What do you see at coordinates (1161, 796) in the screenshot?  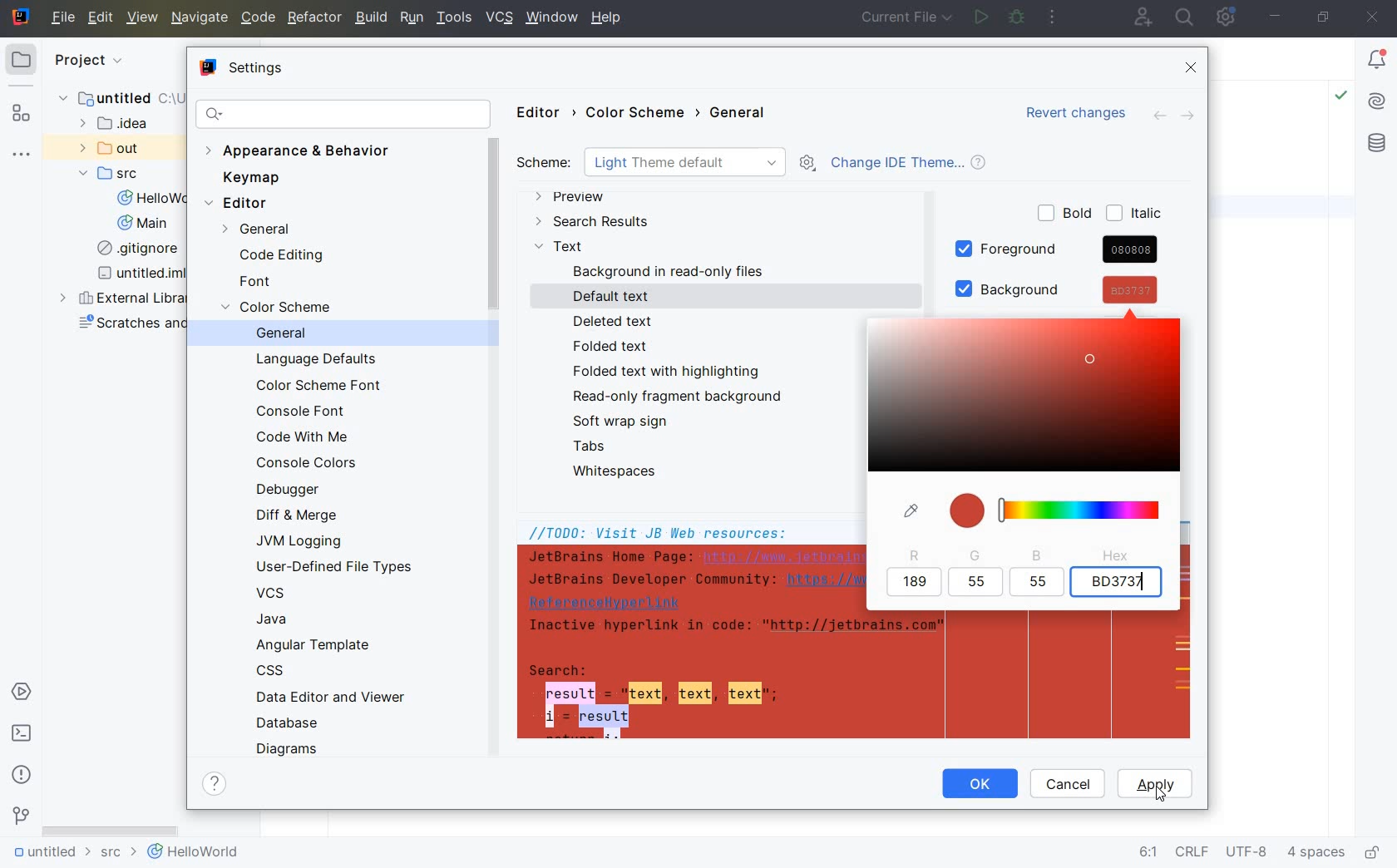 I see `cursor` at bounding box center [1161, 796].